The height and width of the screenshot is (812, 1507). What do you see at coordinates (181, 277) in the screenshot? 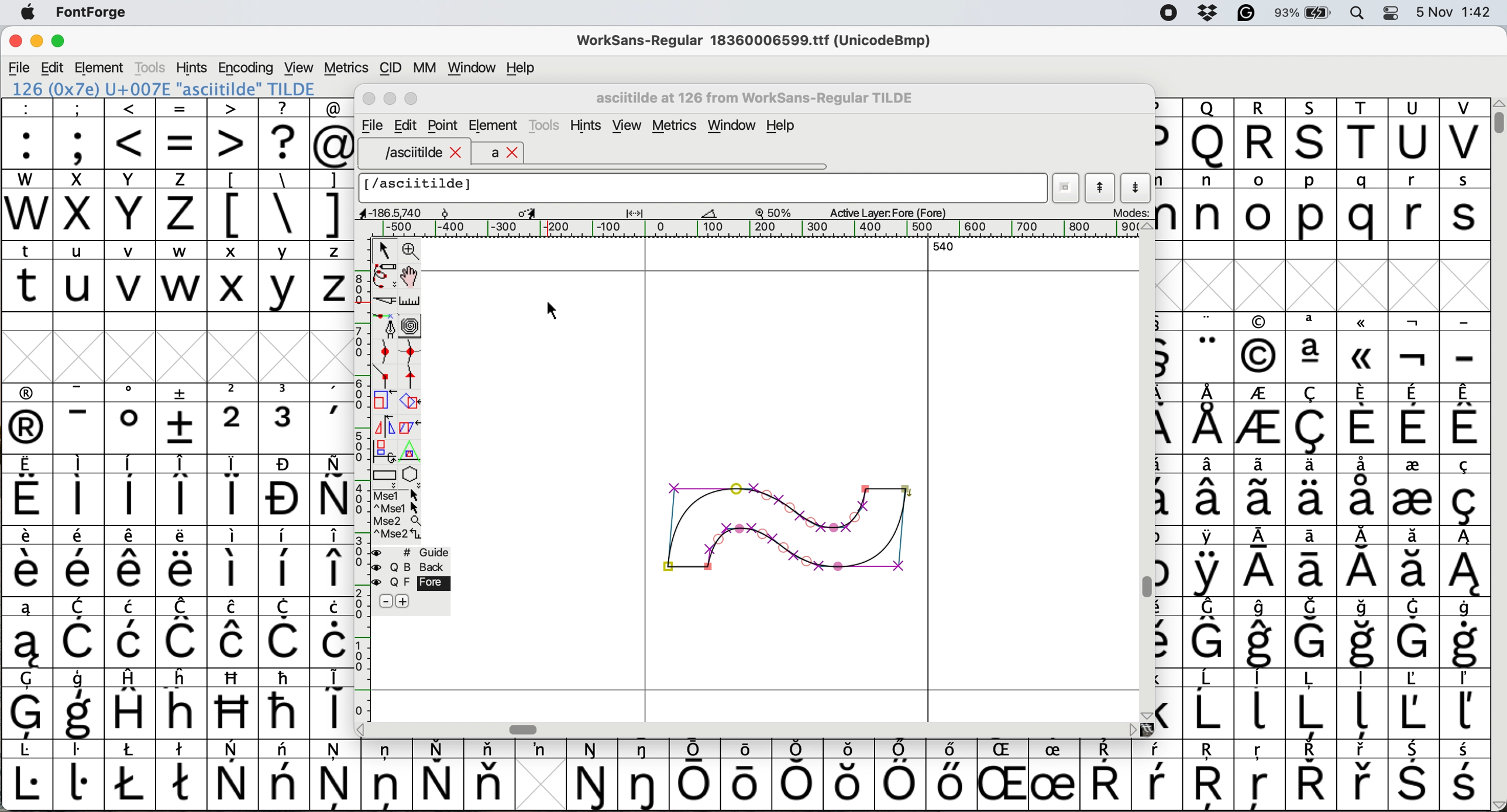
I see `w` at bounding box center [181, 277].